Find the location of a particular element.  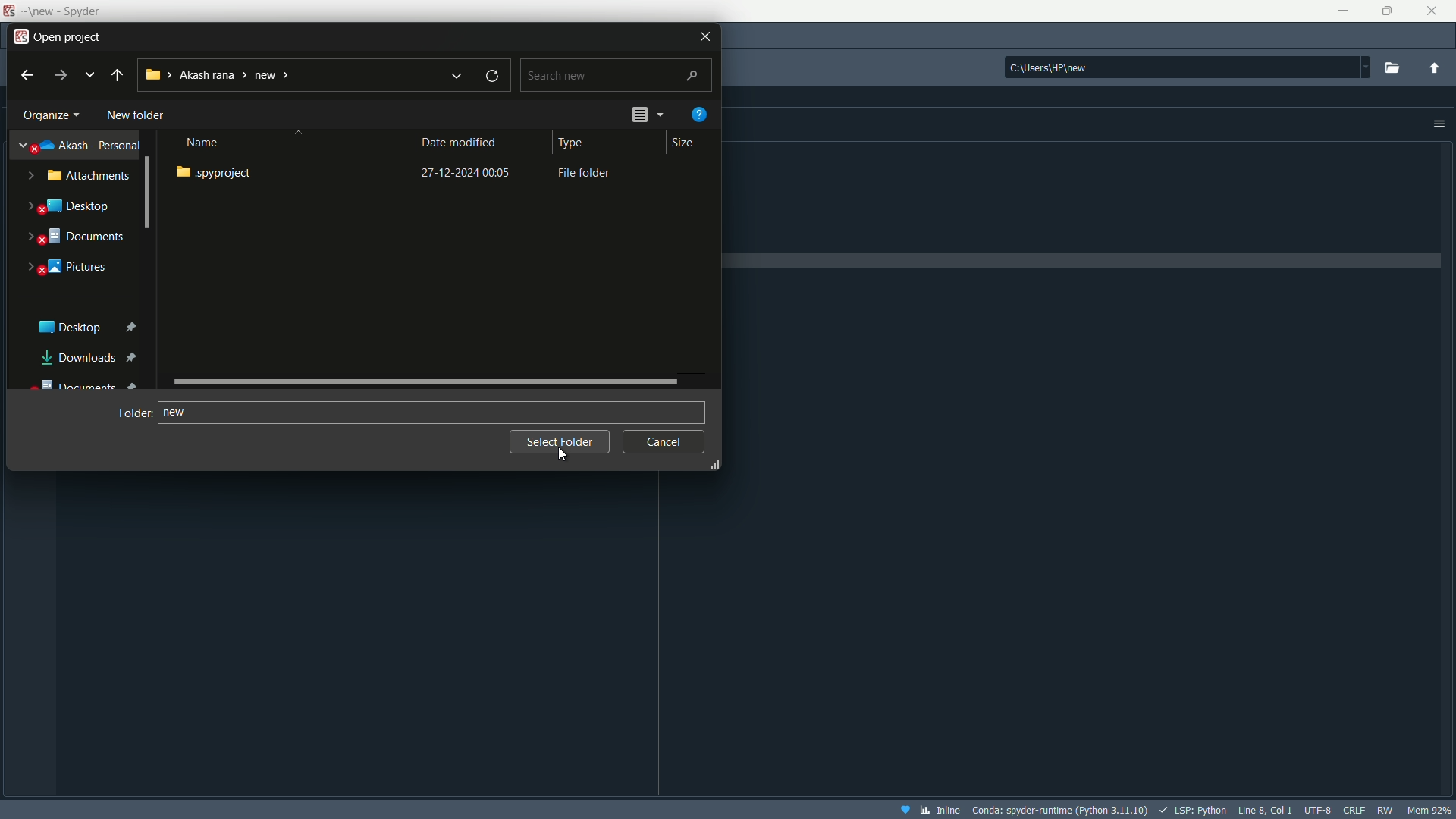

file directory is located at coordinates (1187, 64).